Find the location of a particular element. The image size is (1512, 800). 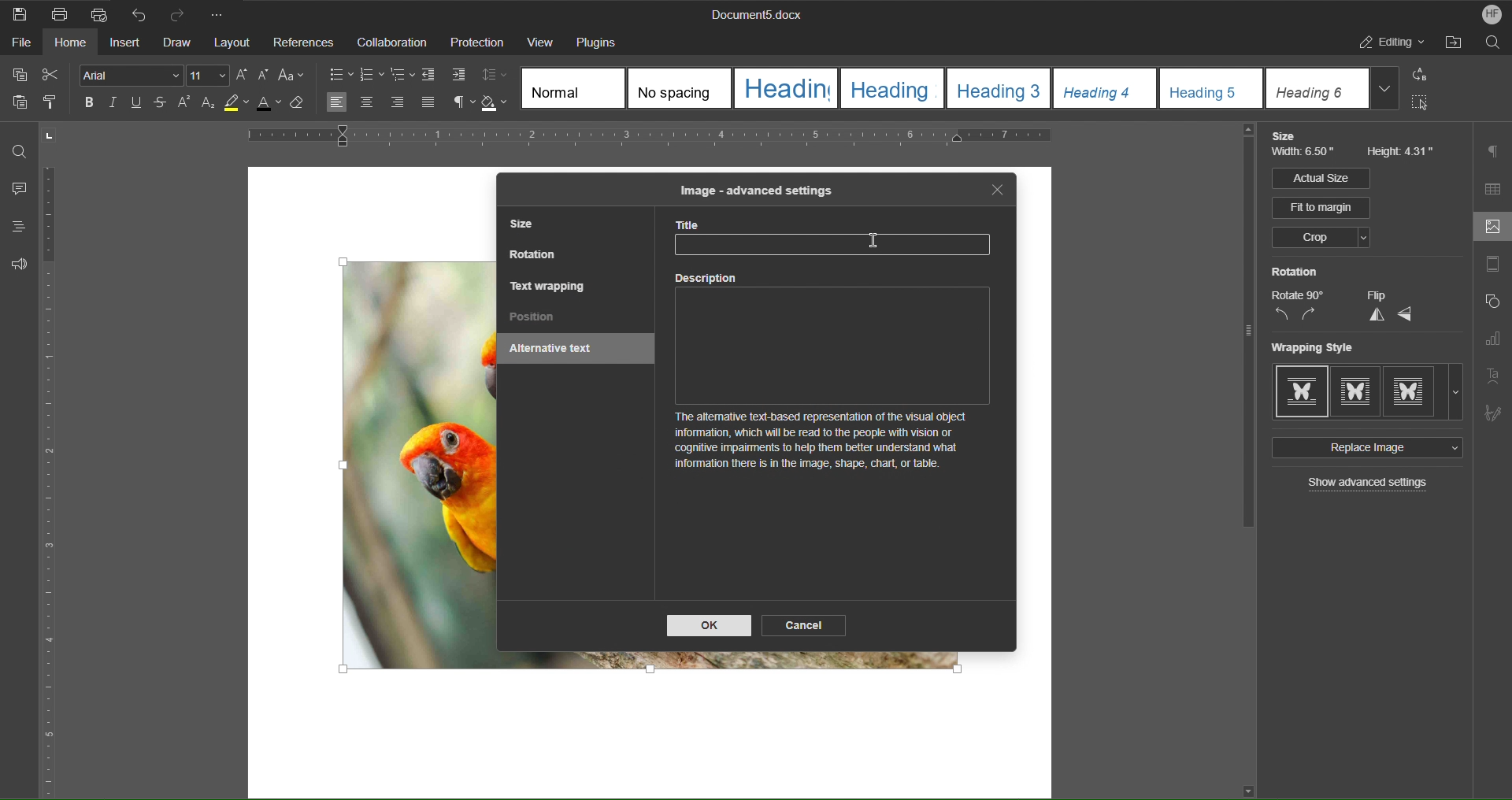

Italic is located at coordinates (113, 103).